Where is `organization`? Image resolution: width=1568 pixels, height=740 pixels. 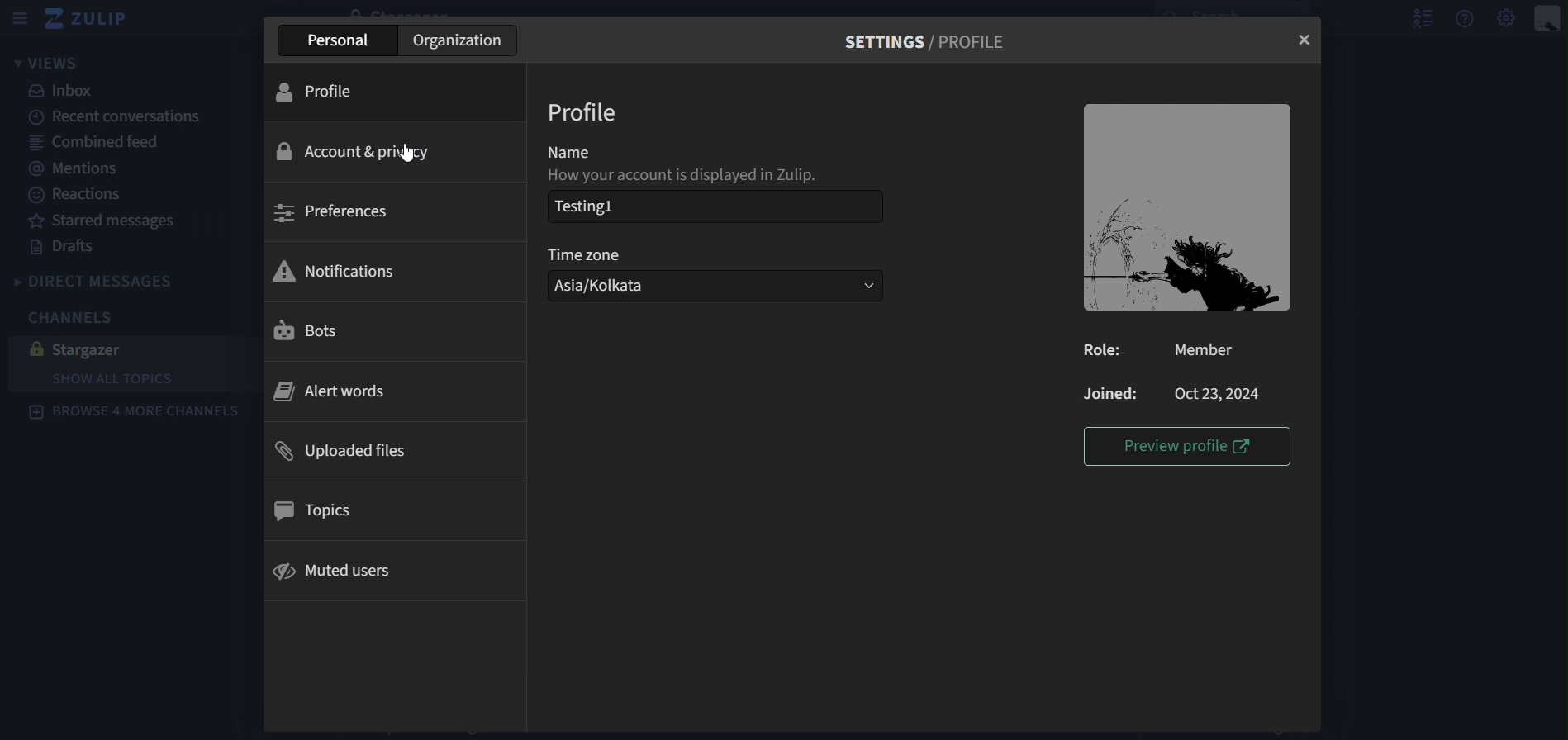
organization is located at coordinates (456, 42).